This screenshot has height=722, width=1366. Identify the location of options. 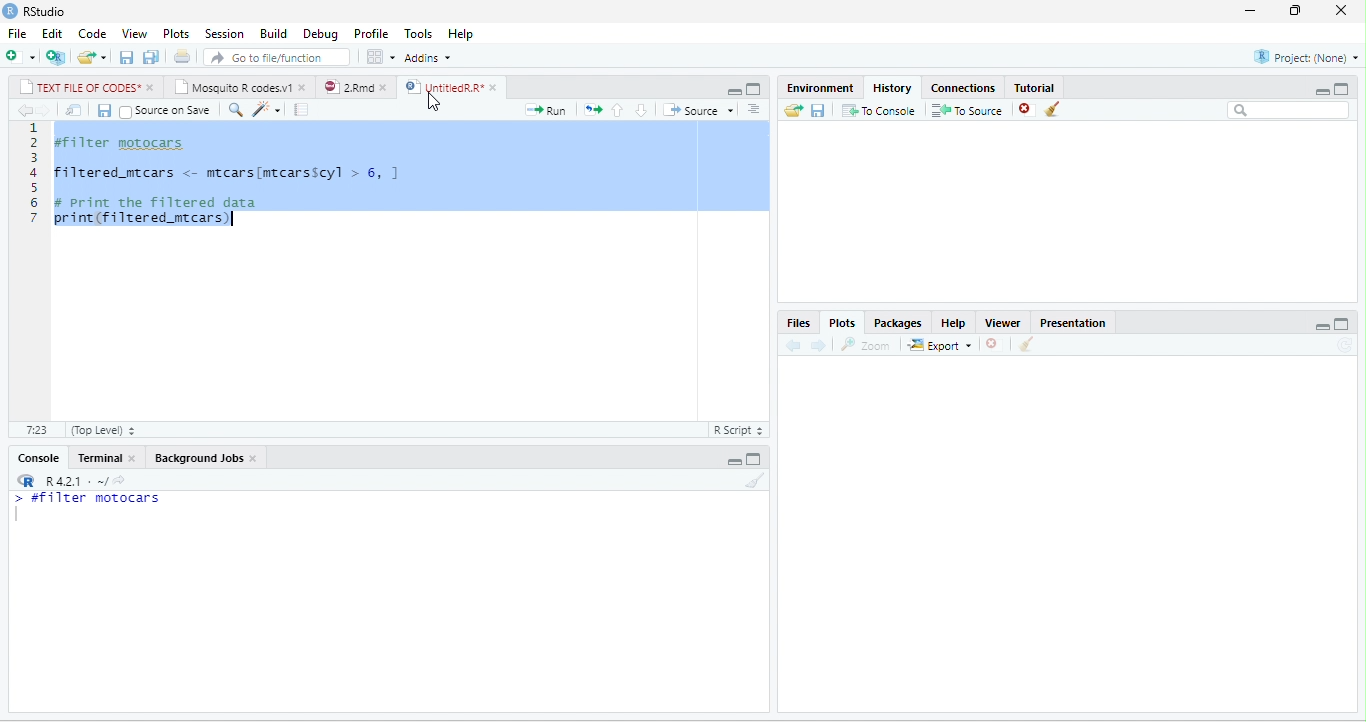
(380, 56).